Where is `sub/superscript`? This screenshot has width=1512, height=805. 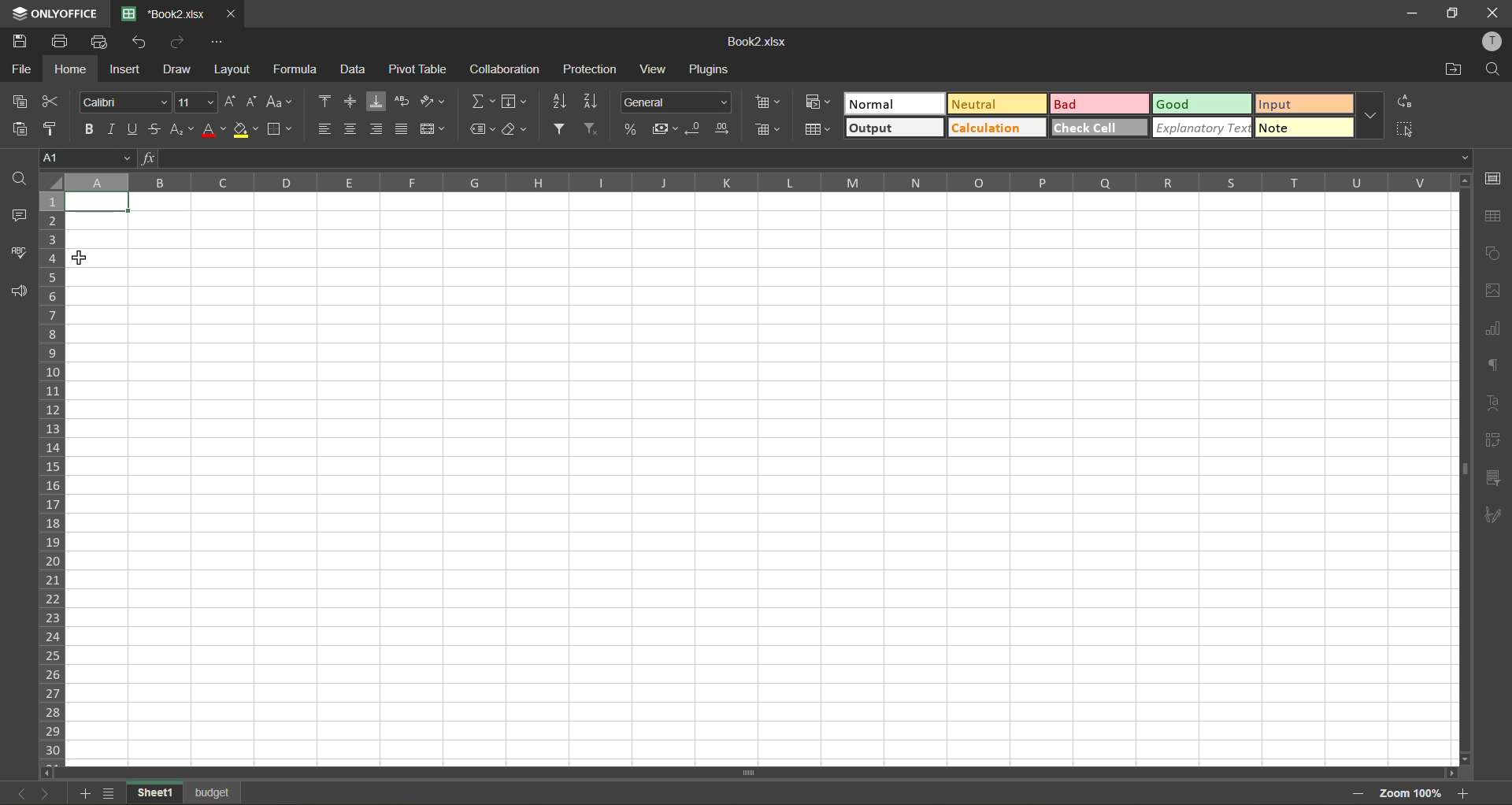 sub/superscript is located at coordinates (184, 127).